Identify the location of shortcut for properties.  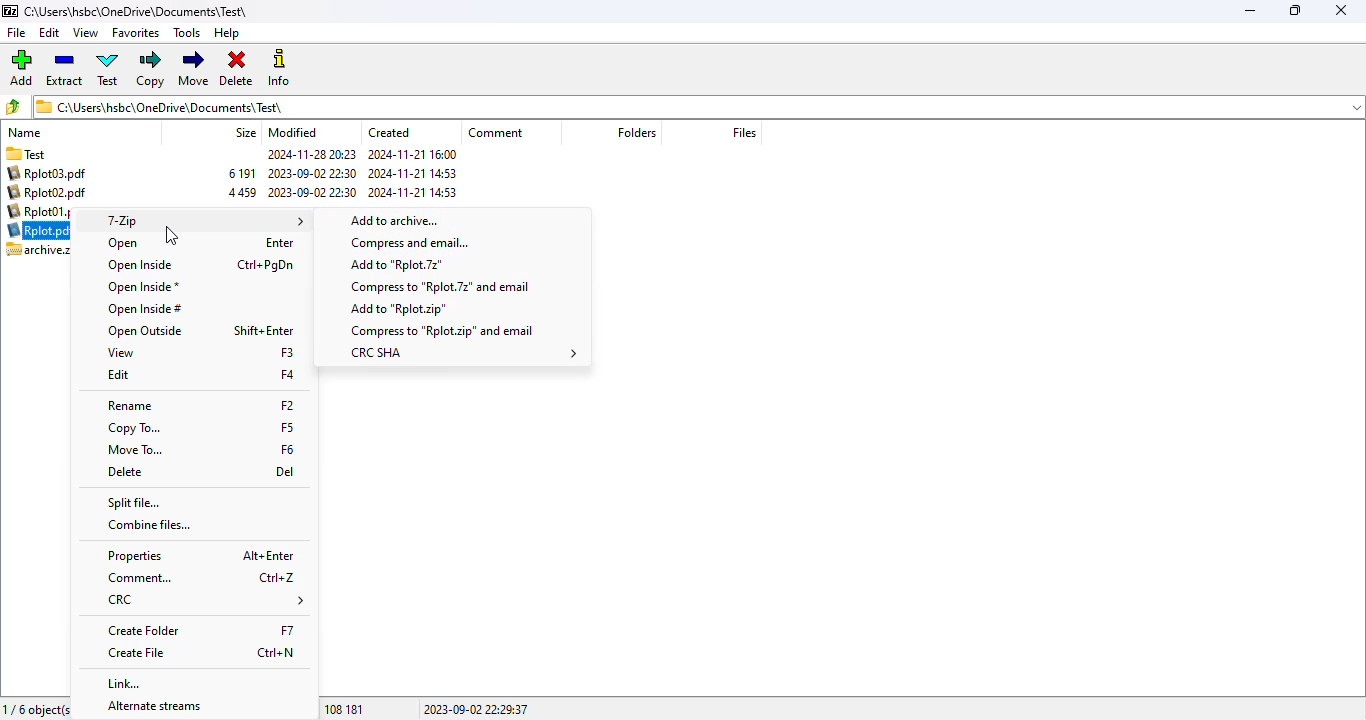
(268, 556).